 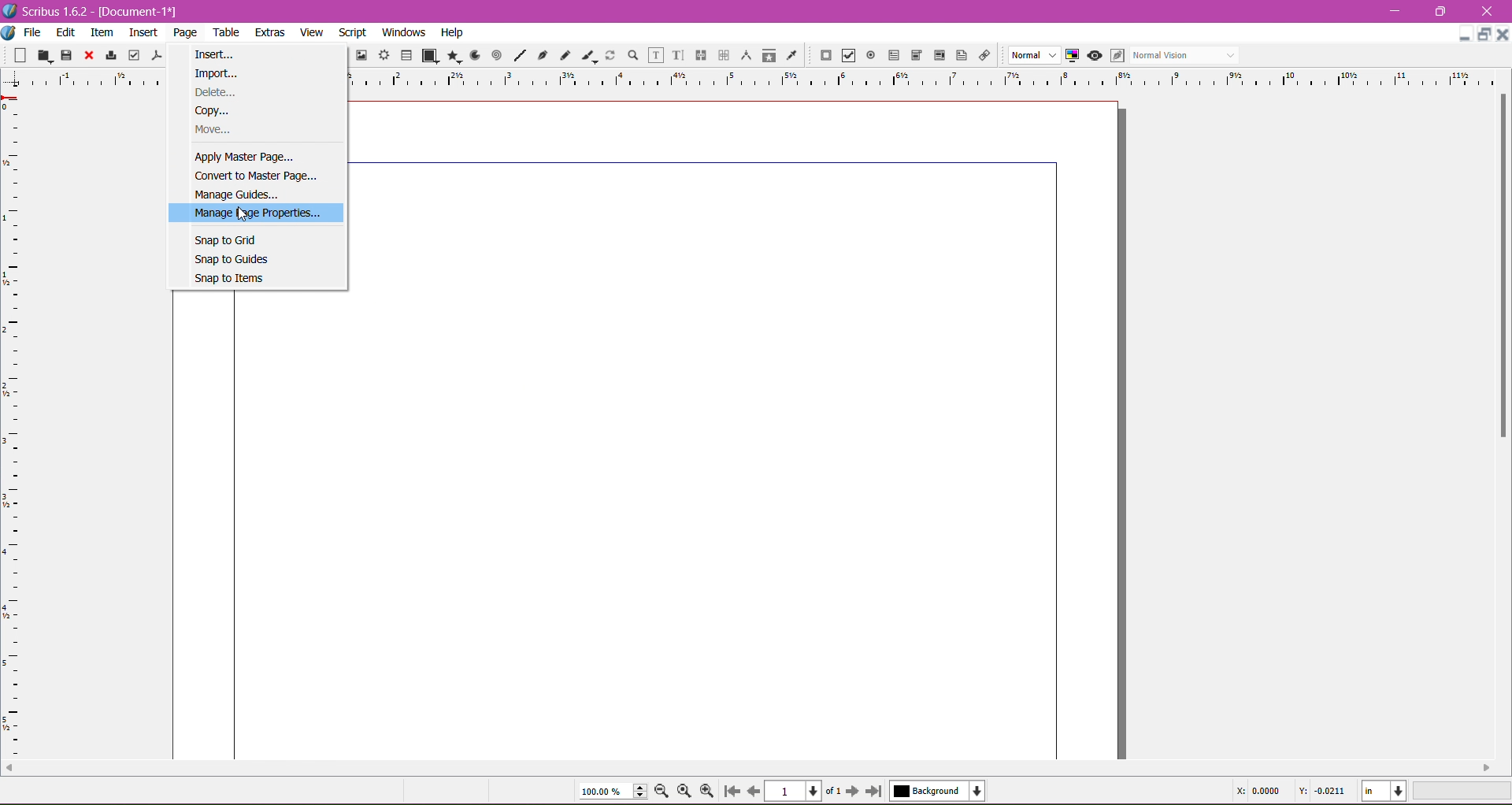 I want to click on Go to last page, so click(x=875, y=792).